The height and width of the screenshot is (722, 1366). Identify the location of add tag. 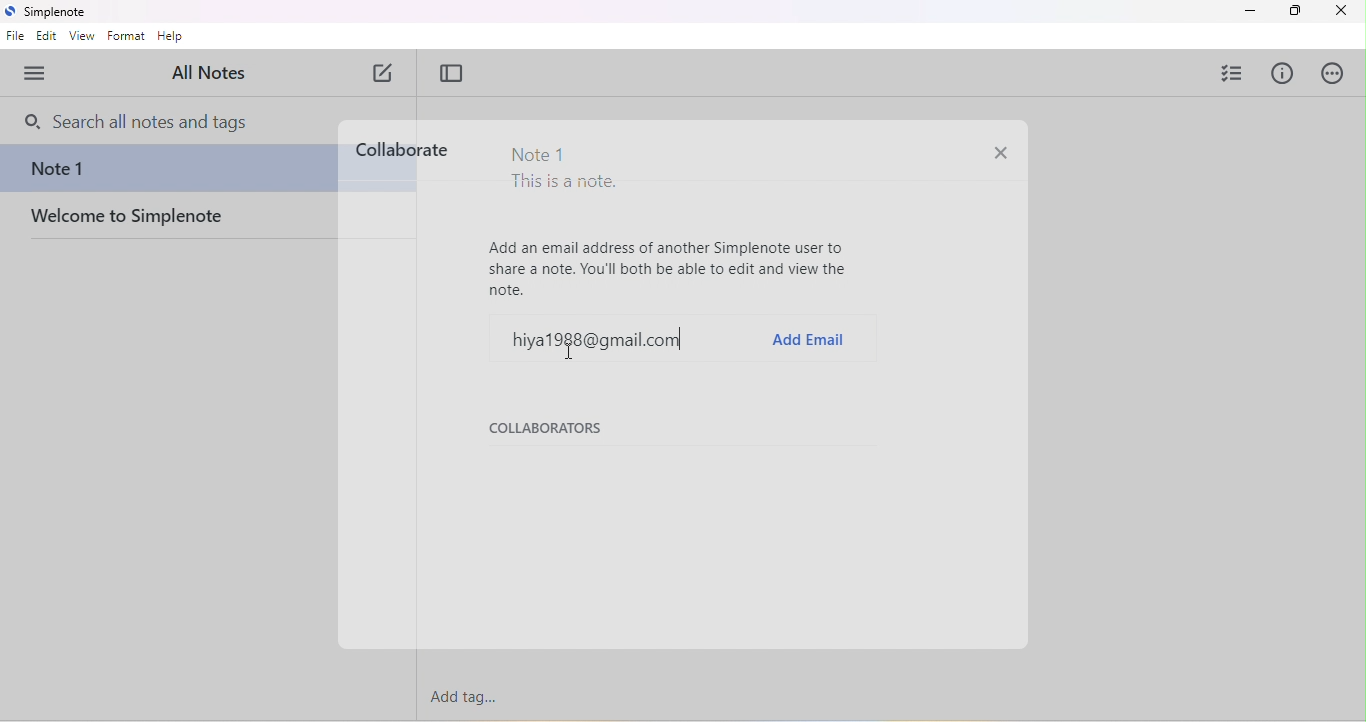
(461, 696).